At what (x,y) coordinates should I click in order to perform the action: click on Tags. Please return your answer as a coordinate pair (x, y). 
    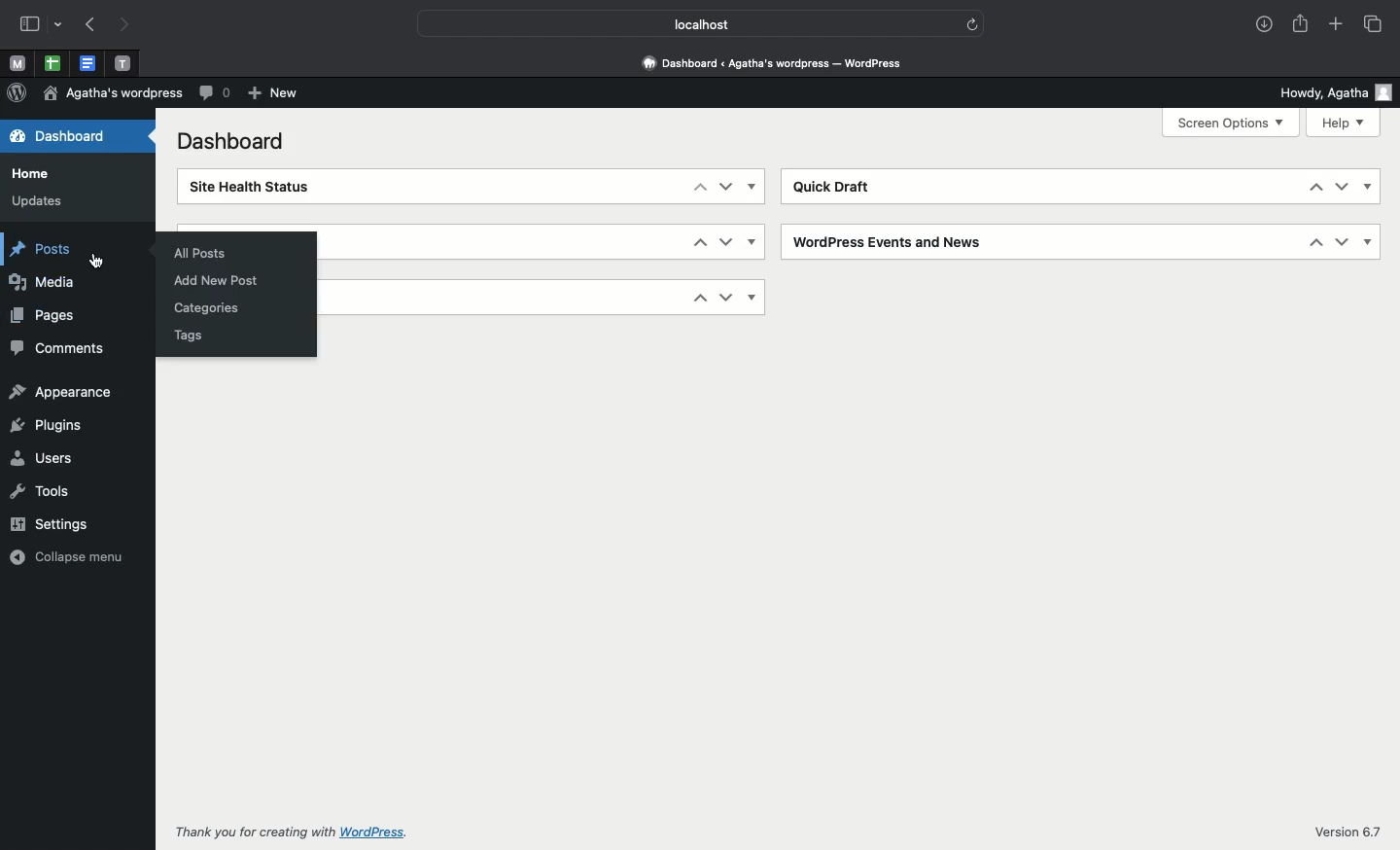
    Looking at the image, I should click on (193, 336).